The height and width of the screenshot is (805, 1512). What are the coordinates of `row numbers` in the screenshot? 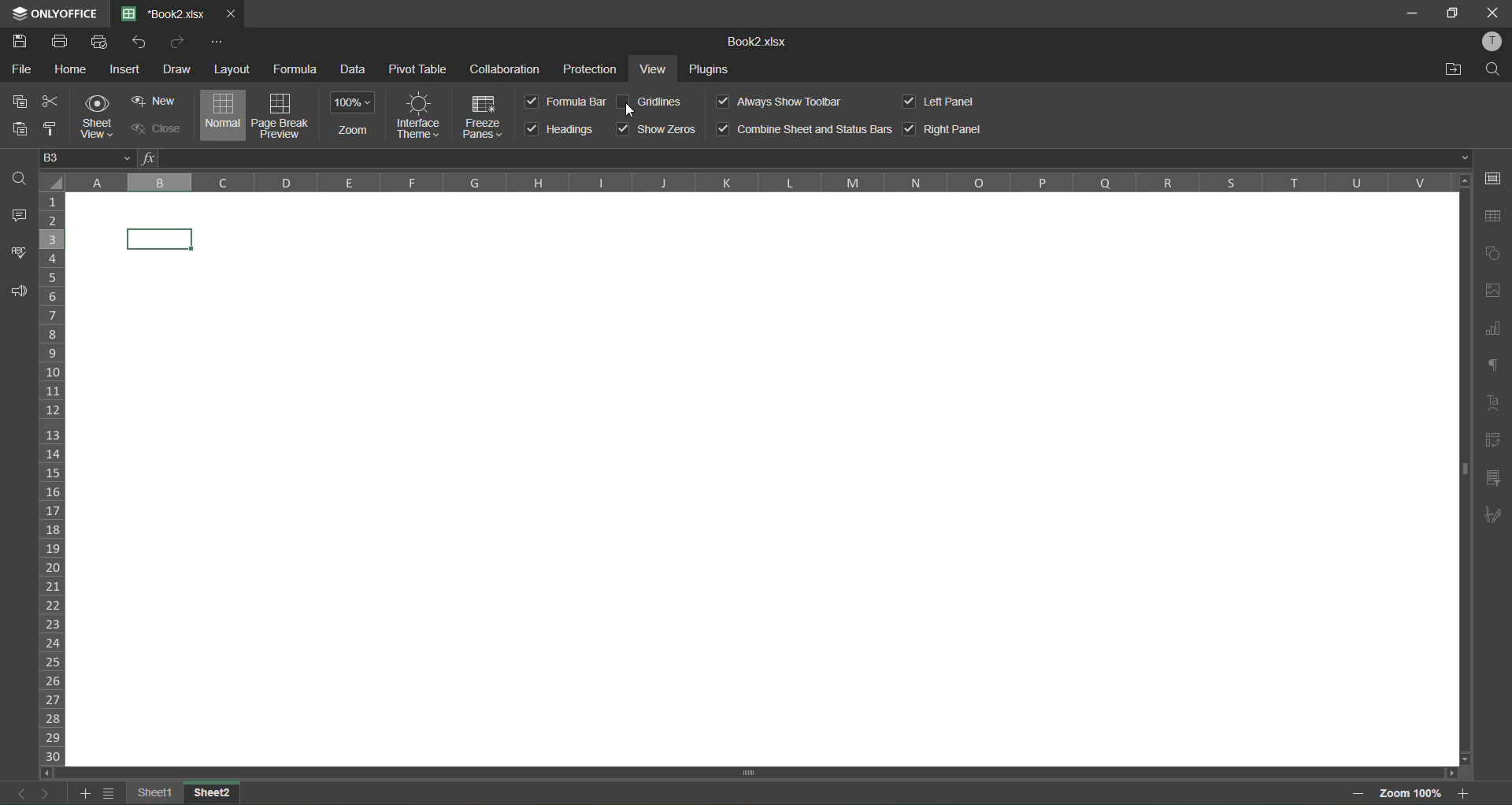 It's located at (54, 478).